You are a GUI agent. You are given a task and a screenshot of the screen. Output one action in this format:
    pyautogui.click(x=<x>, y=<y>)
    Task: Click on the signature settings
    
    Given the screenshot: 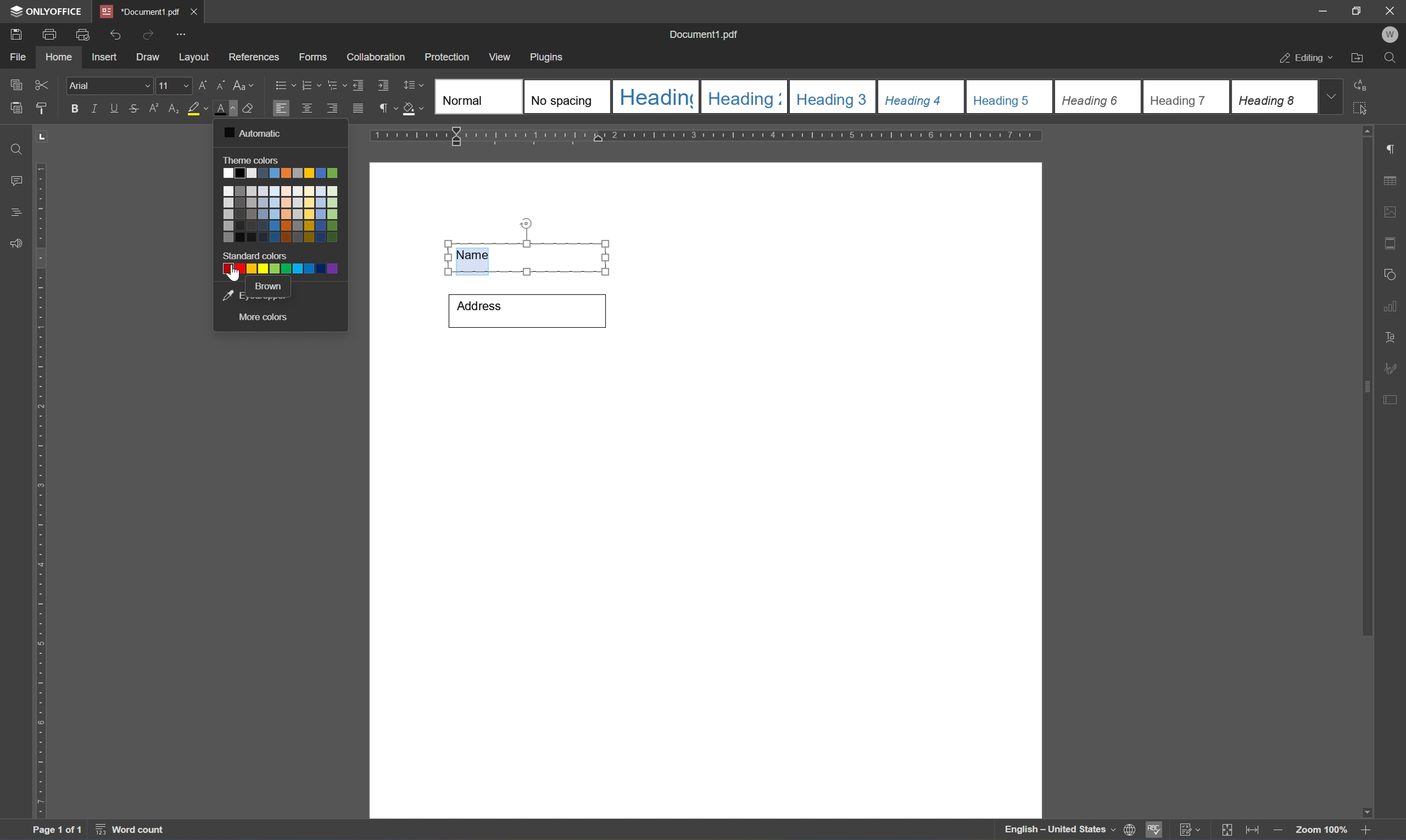 What is the action you would take?
    pyautogui.click(x=1394, y=367)
    